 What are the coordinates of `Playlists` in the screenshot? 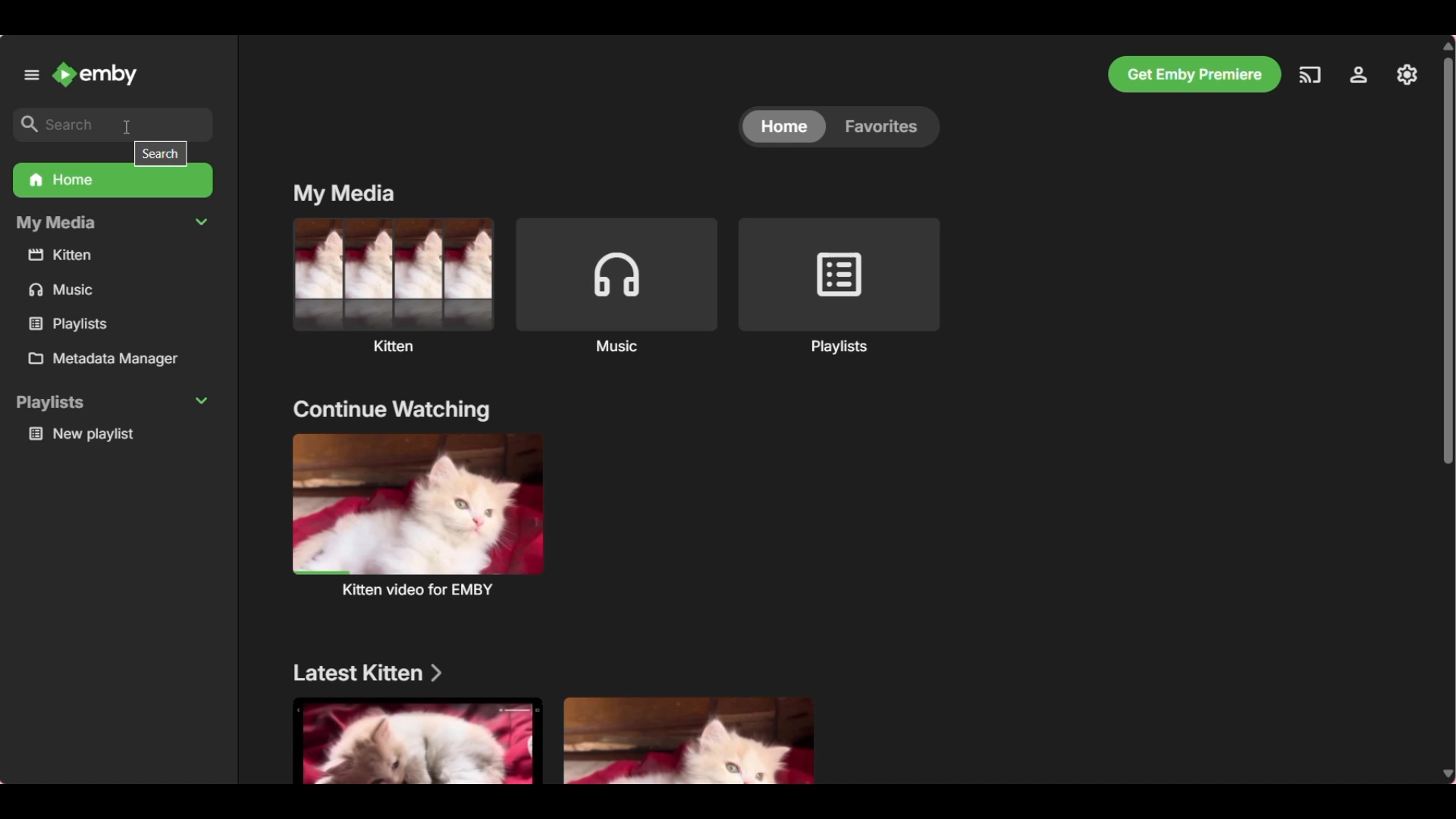 It's located at (839, 285).